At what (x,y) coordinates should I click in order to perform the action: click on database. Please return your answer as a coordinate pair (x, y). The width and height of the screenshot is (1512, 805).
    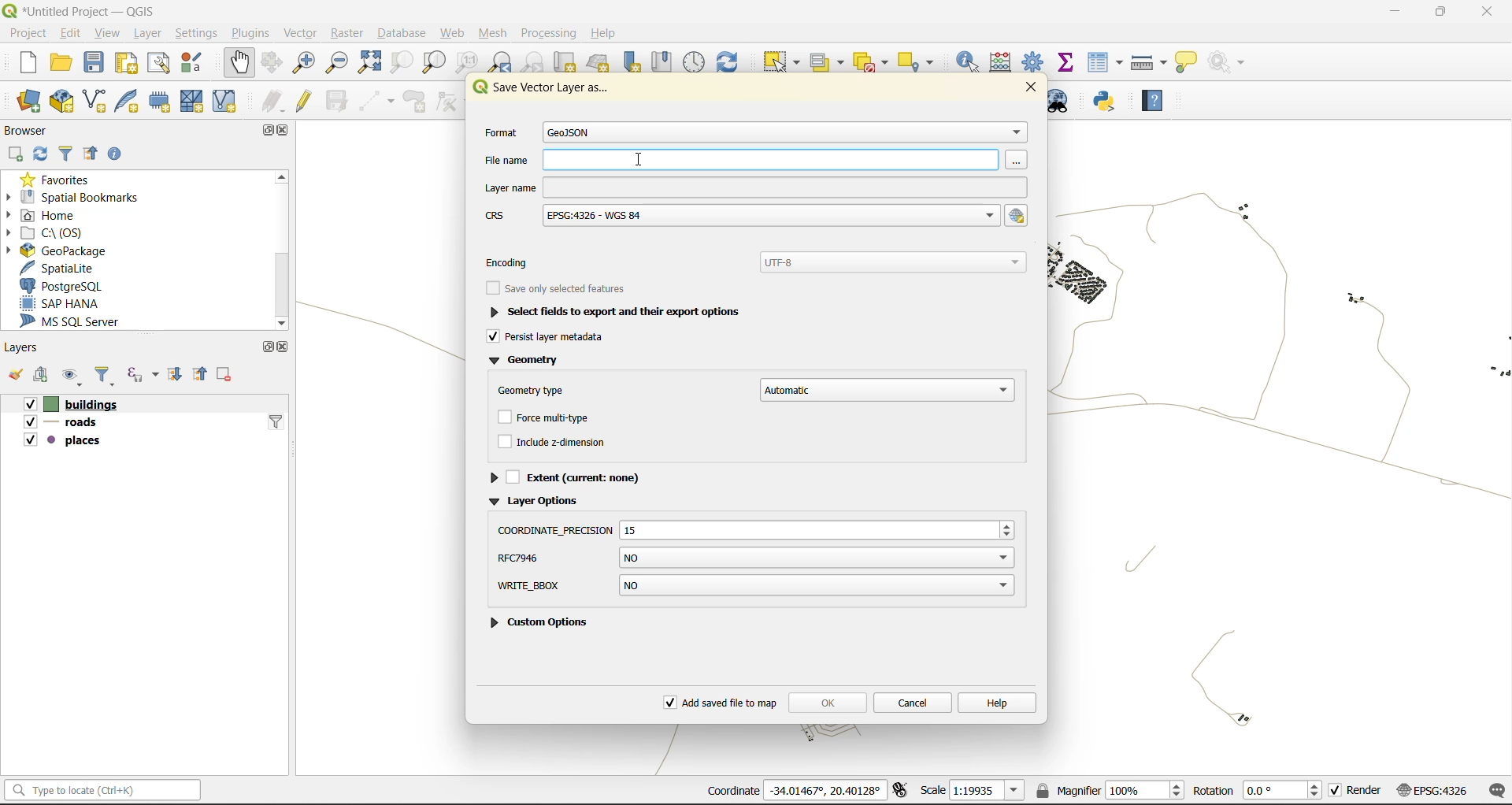
    Looking at the image, I should click on (405, 32).